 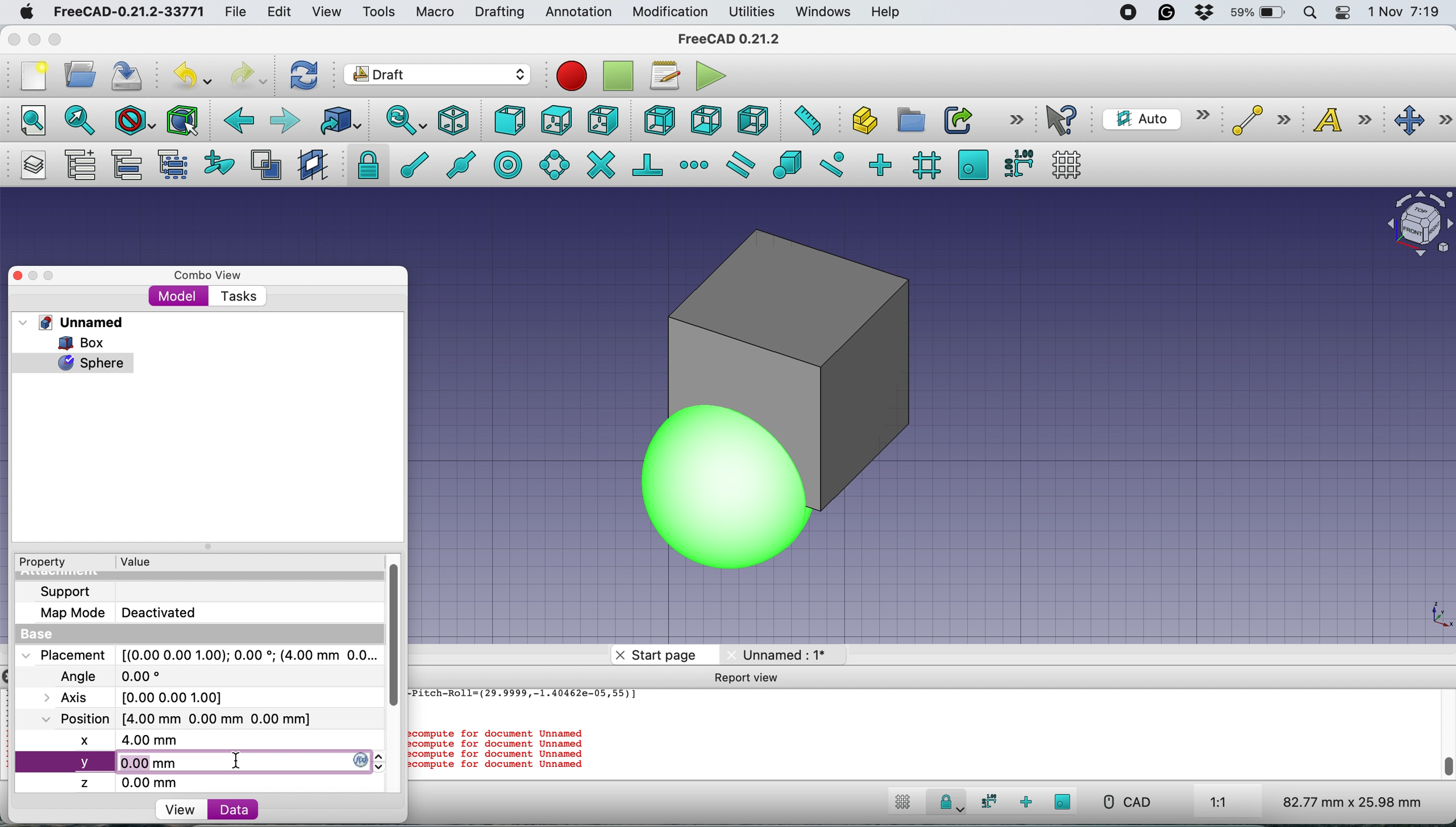 What do you see at coordinates (89, 343) in the screenshot?
I see `box` at bounding box center [89, 343].